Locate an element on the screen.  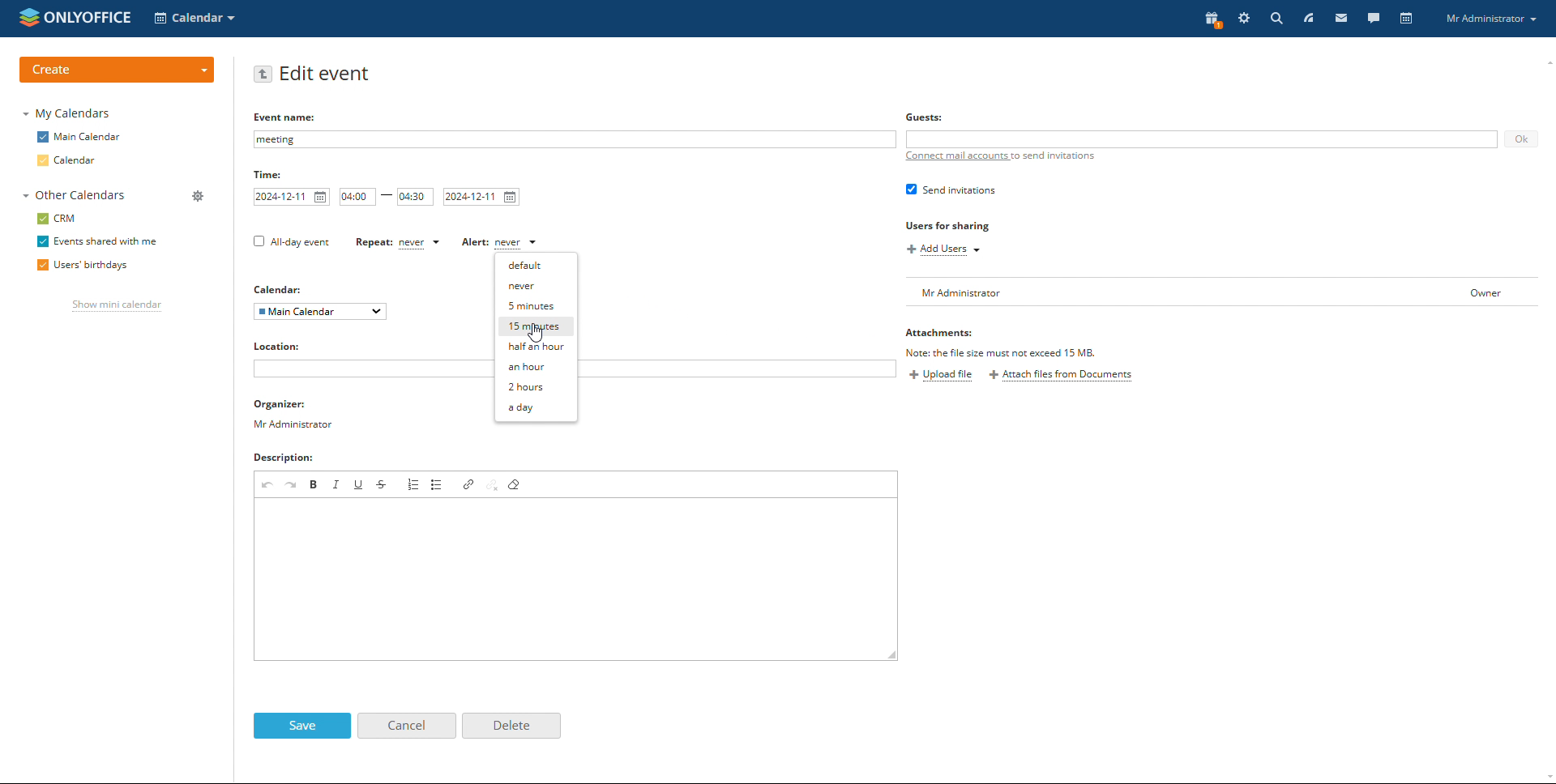
link is located at coordinates (468, 484).